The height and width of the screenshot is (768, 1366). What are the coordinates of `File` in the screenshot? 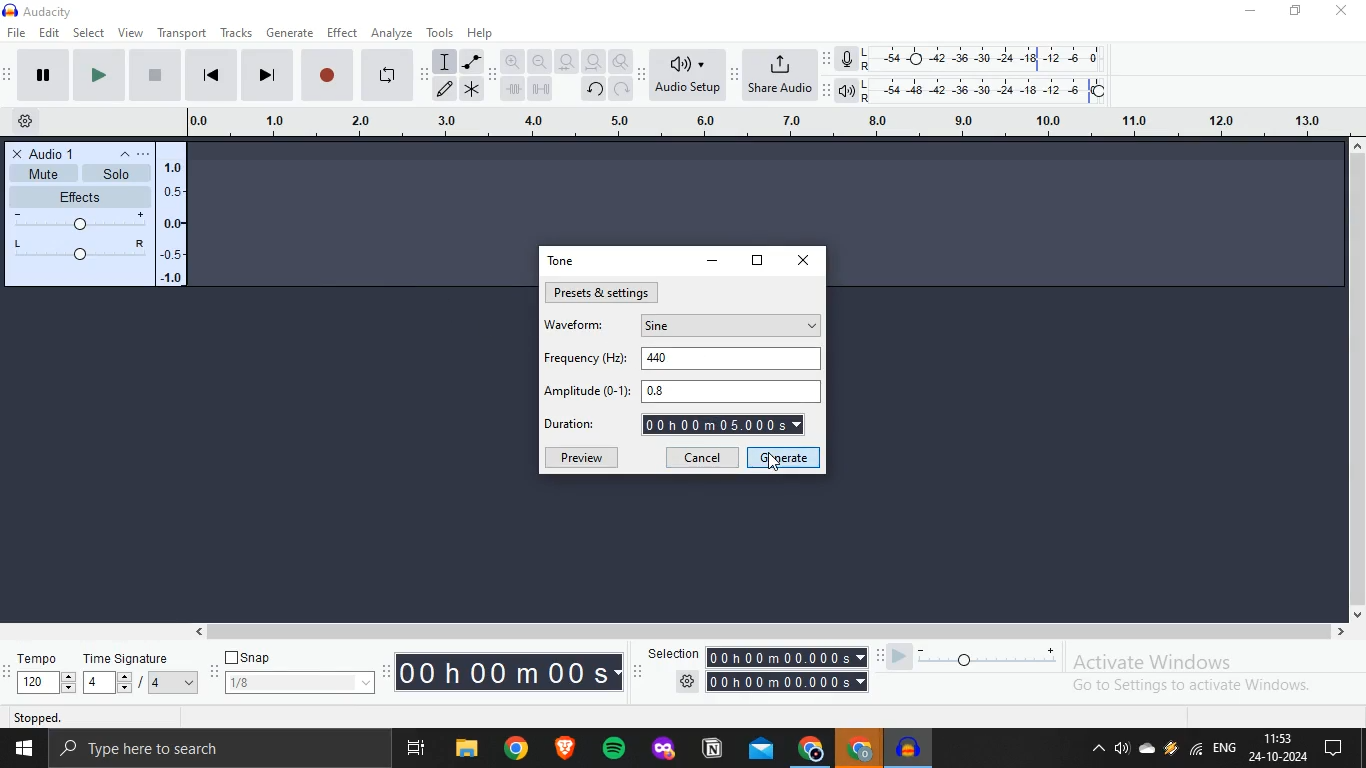 It's located at (17, 33).